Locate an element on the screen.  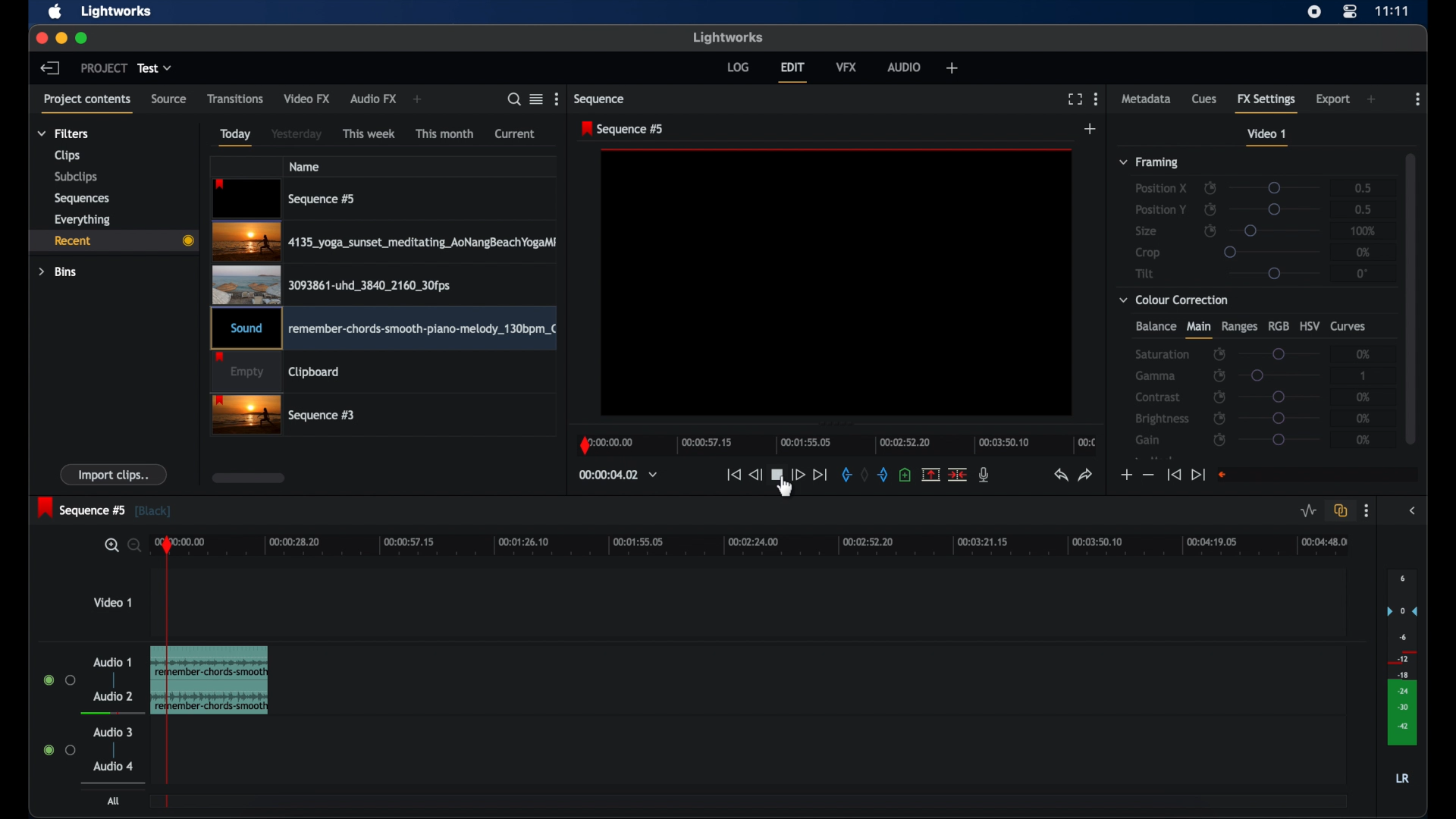
sequence is located at coordinates (600, 99).